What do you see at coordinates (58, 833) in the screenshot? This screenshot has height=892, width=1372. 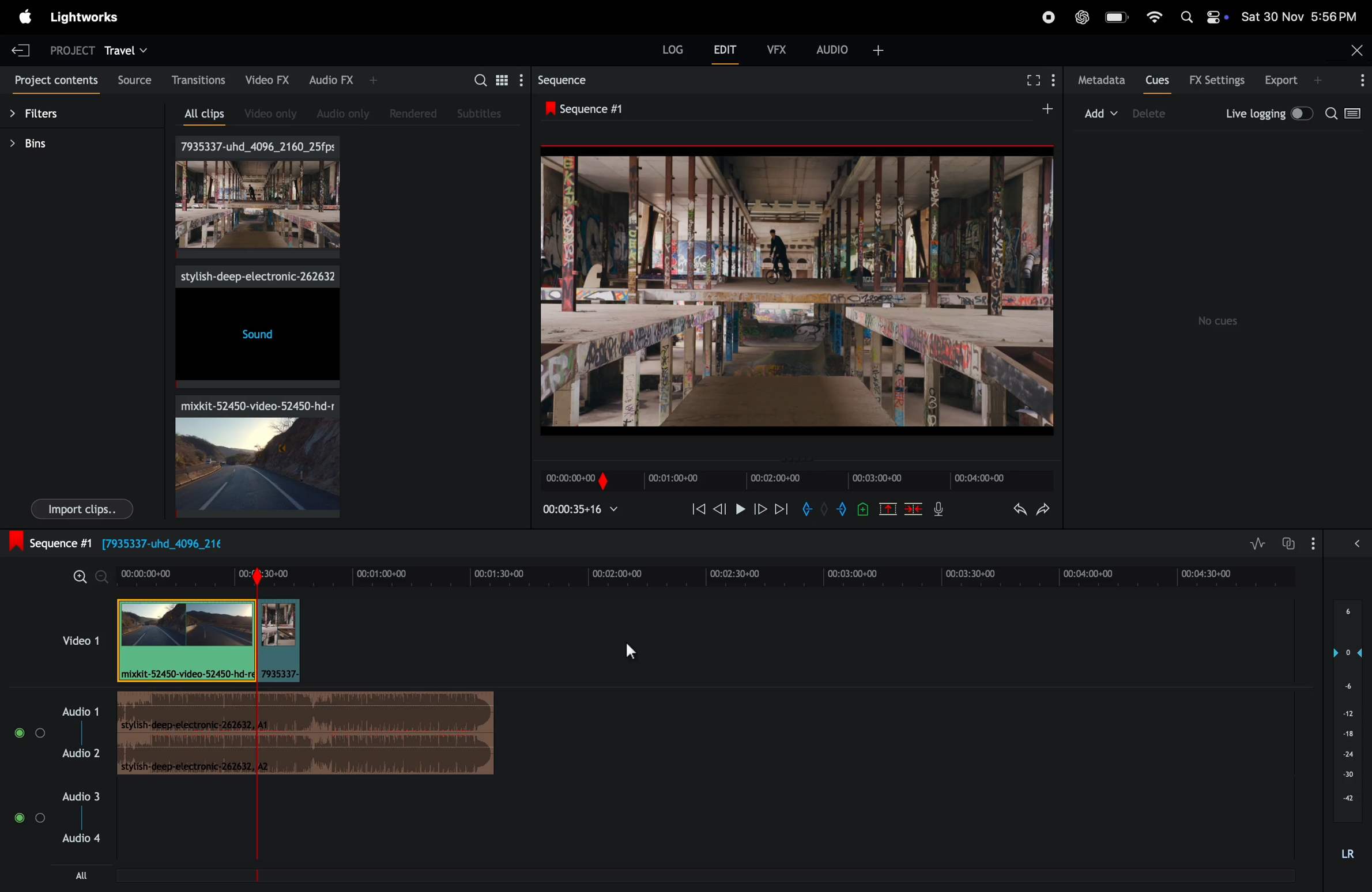 I see `audio 3` at bounding box center [58, 833].